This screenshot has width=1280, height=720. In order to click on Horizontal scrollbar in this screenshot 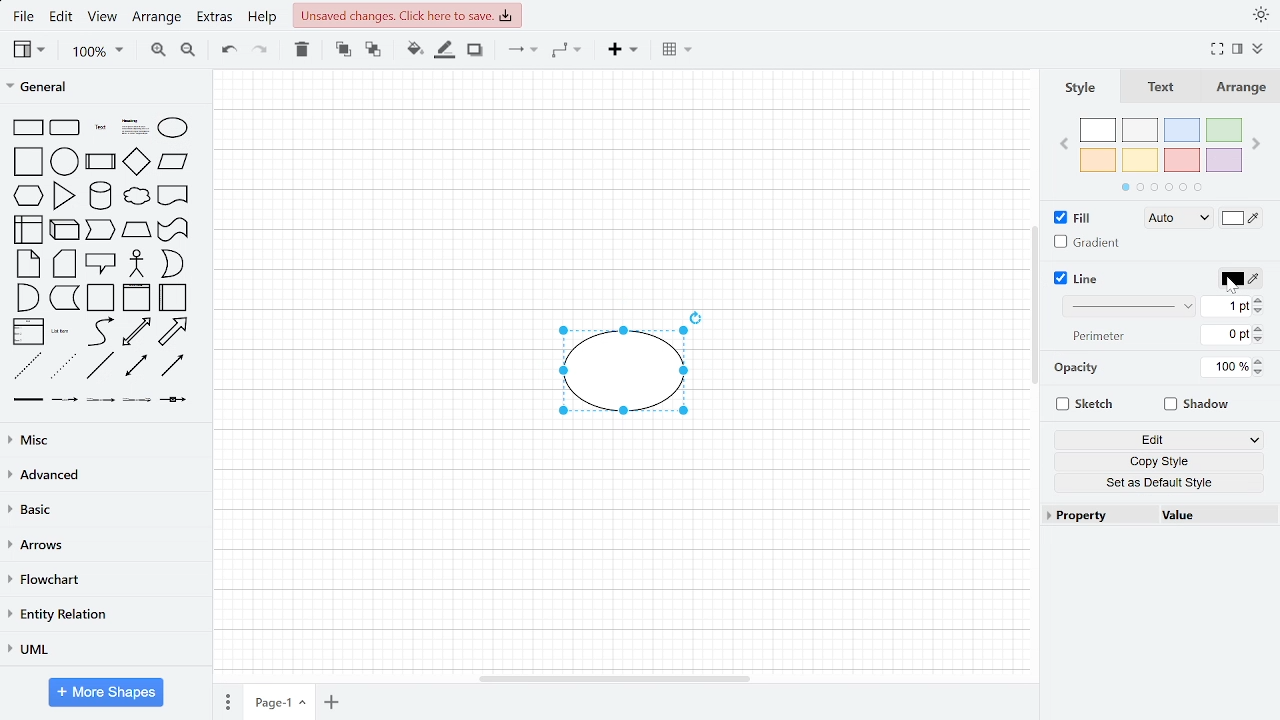, I will do `click(620, 681)`.